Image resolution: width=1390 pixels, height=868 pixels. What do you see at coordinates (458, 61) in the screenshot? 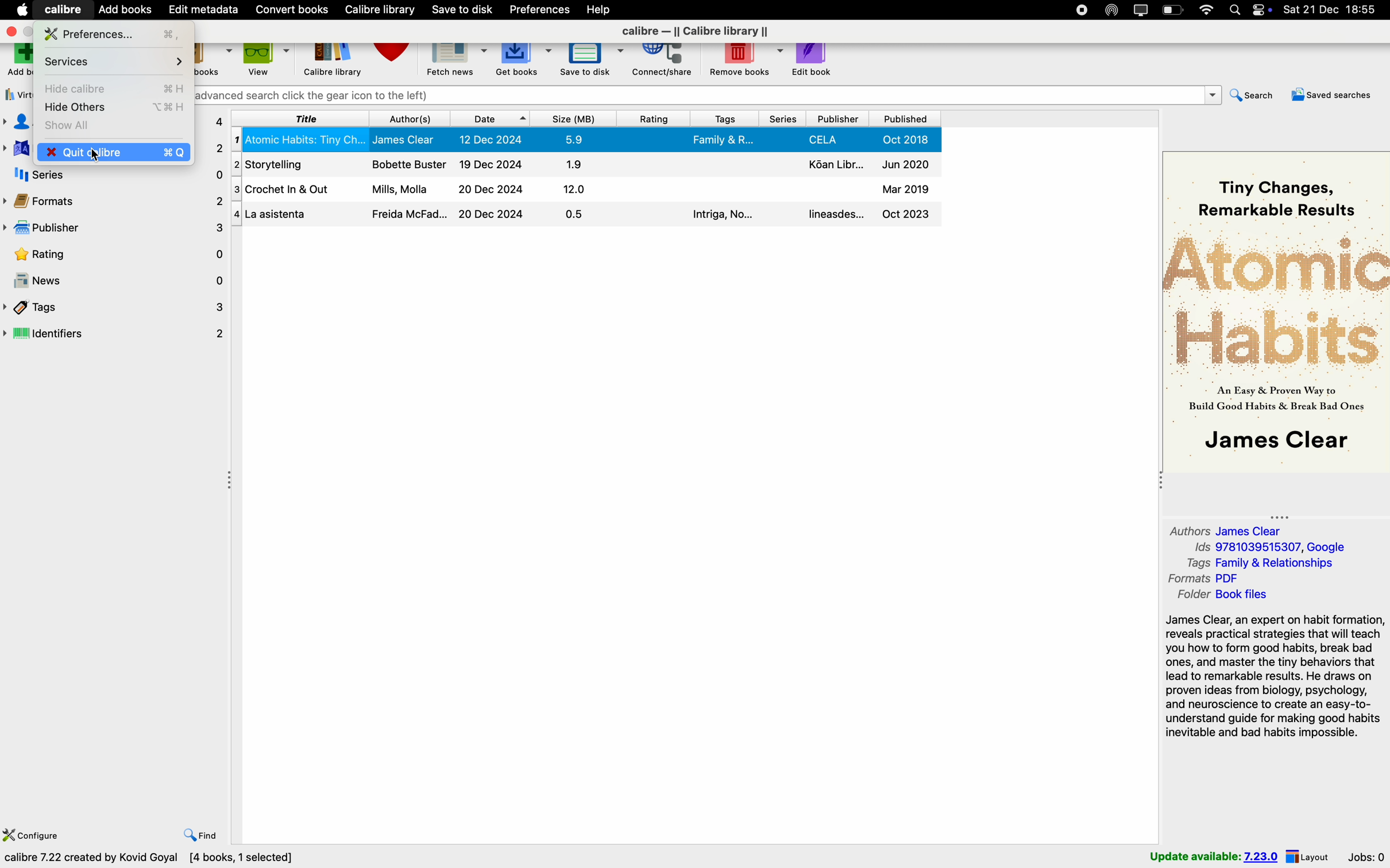
I see `fetch news` at bounding box center [458, 61].